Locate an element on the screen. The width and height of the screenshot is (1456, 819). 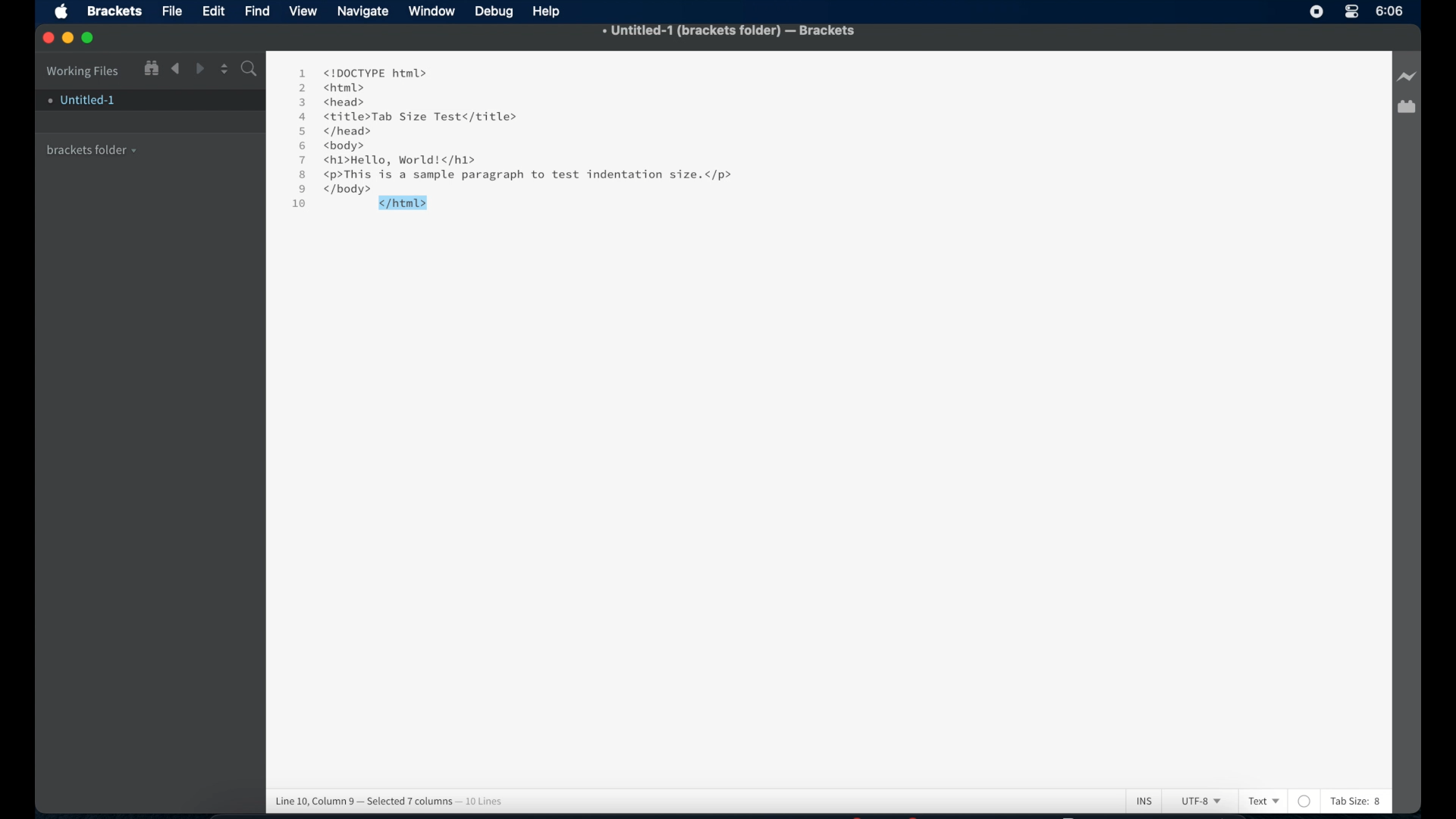
Color is located at coordinates (1305, 801).